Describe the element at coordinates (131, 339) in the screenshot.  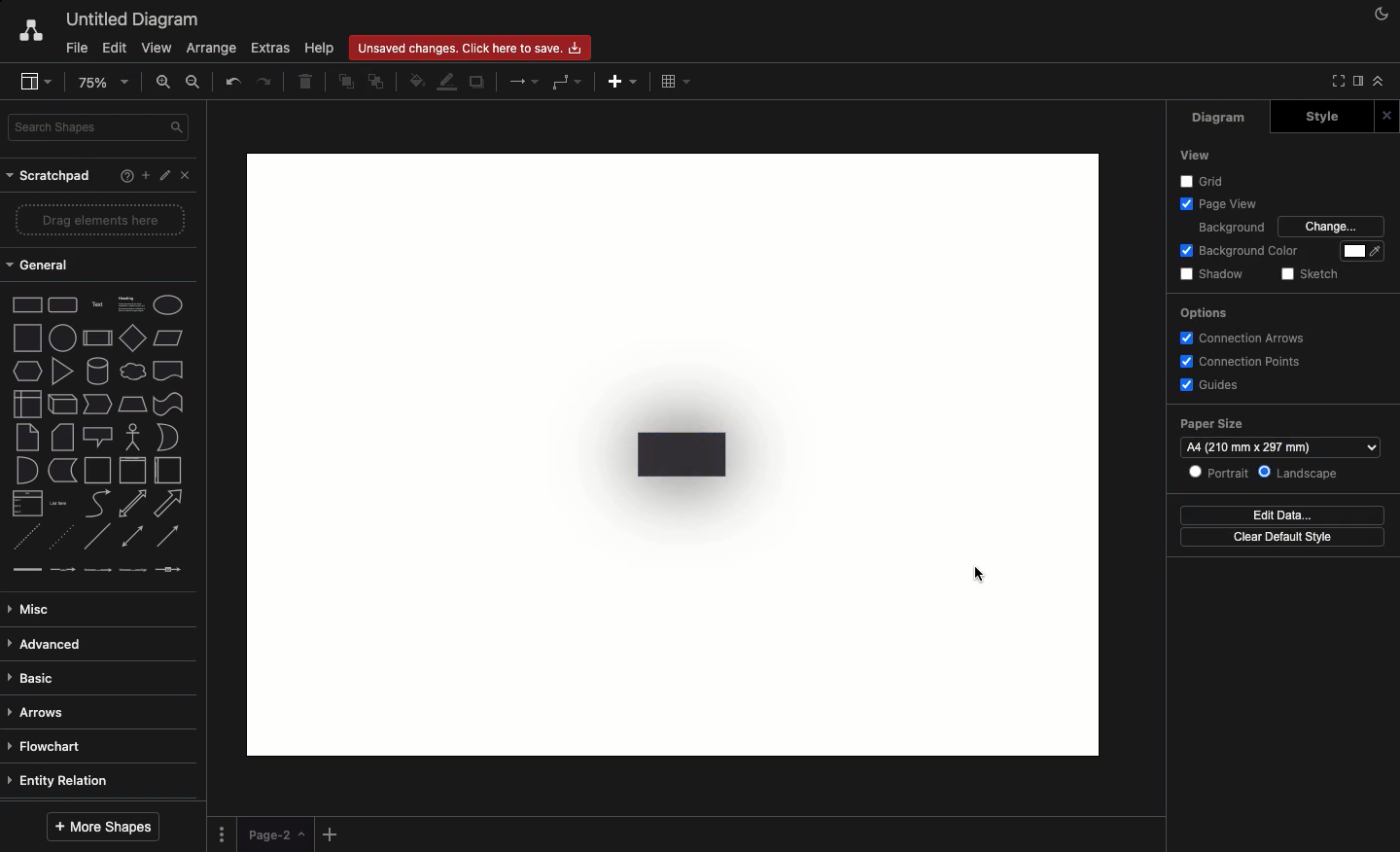
I see `diamond` at that location.